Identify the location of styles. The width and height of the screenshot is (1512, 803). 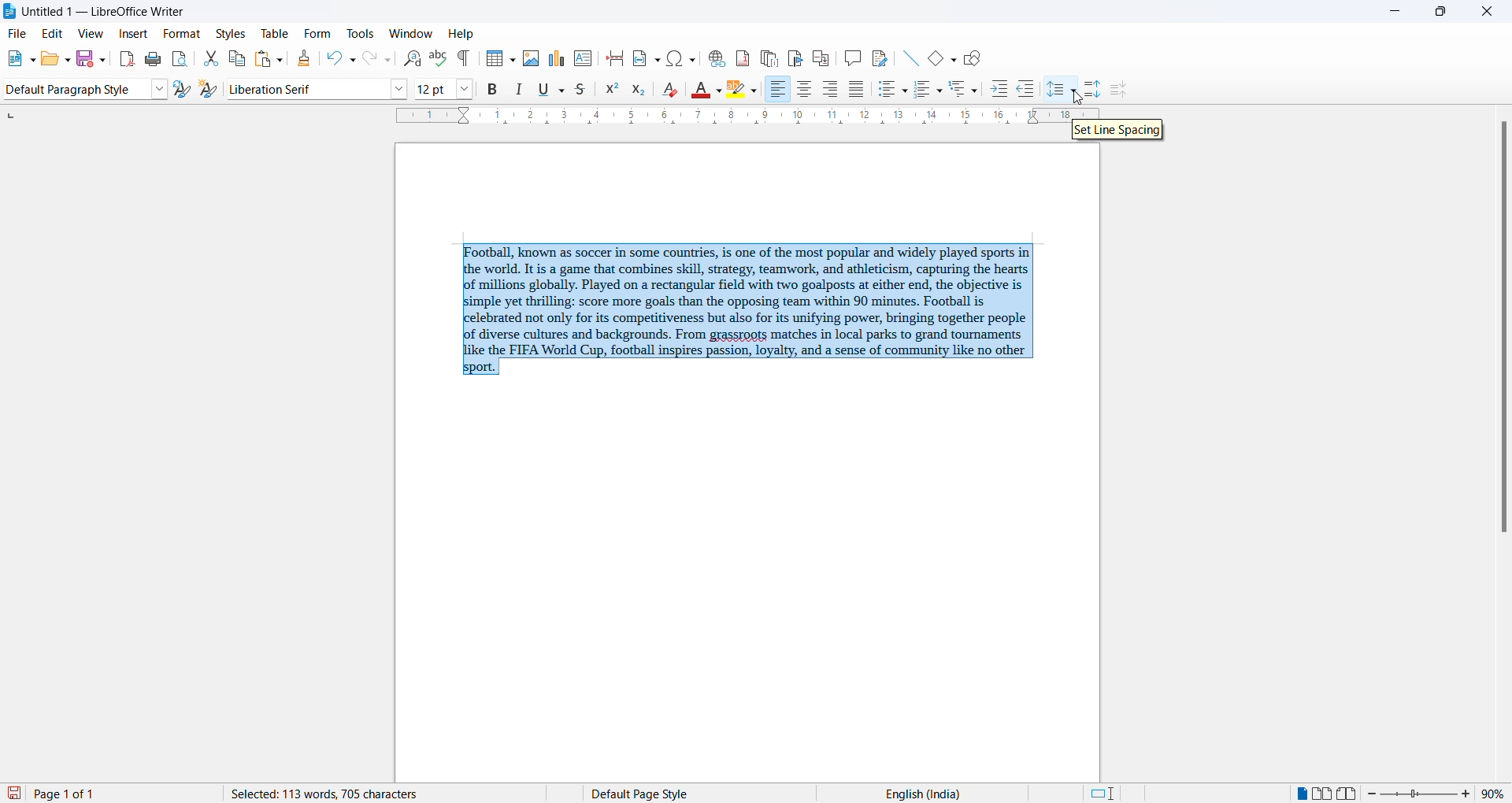
(231, 34).